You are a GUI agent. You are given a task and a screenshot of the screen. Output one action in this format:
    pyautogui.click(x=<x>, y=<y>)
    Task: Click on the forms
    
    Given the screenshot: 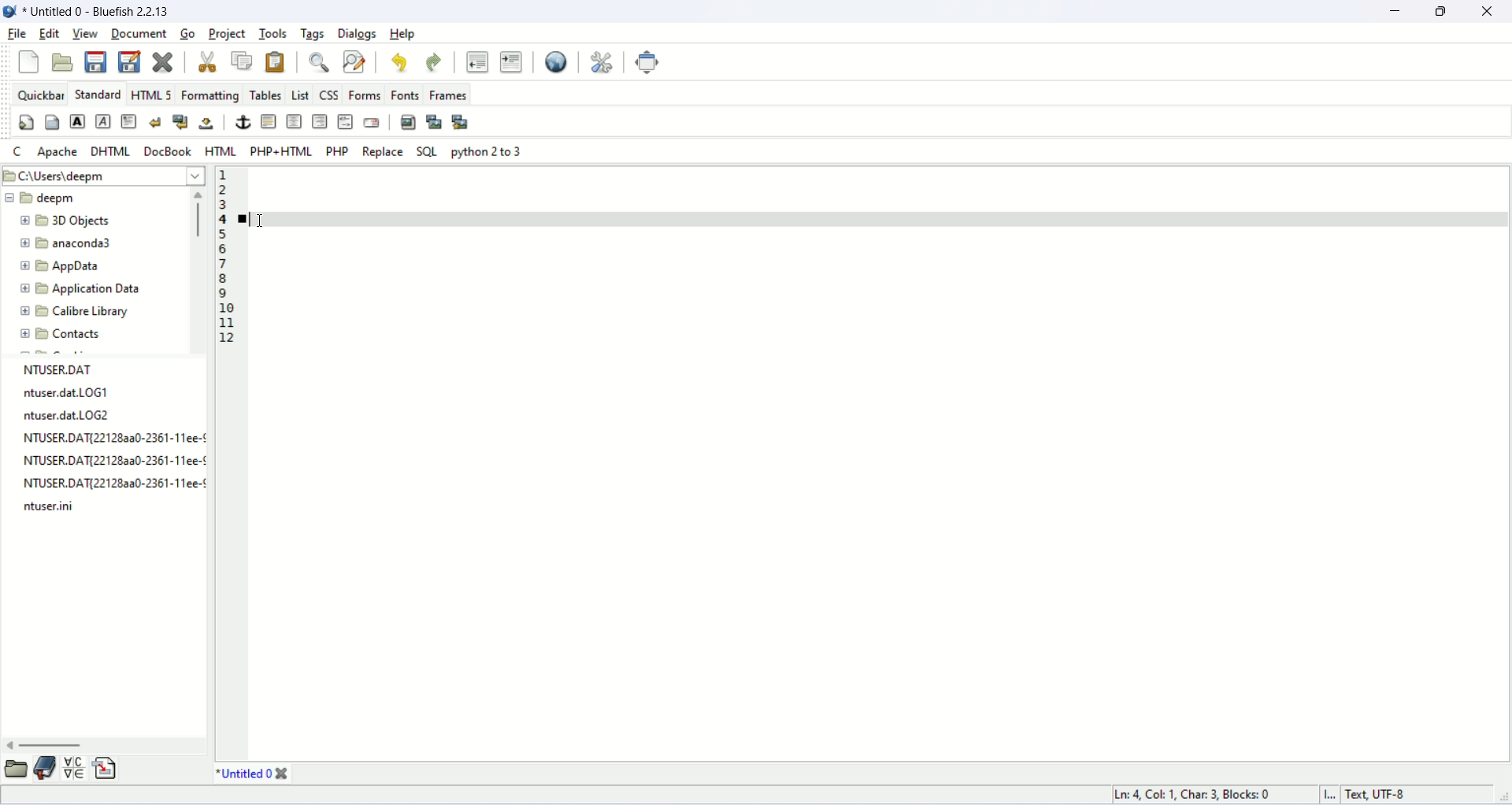 What is the action you would take?
    pyautogui.click(x=365, y=93)
    